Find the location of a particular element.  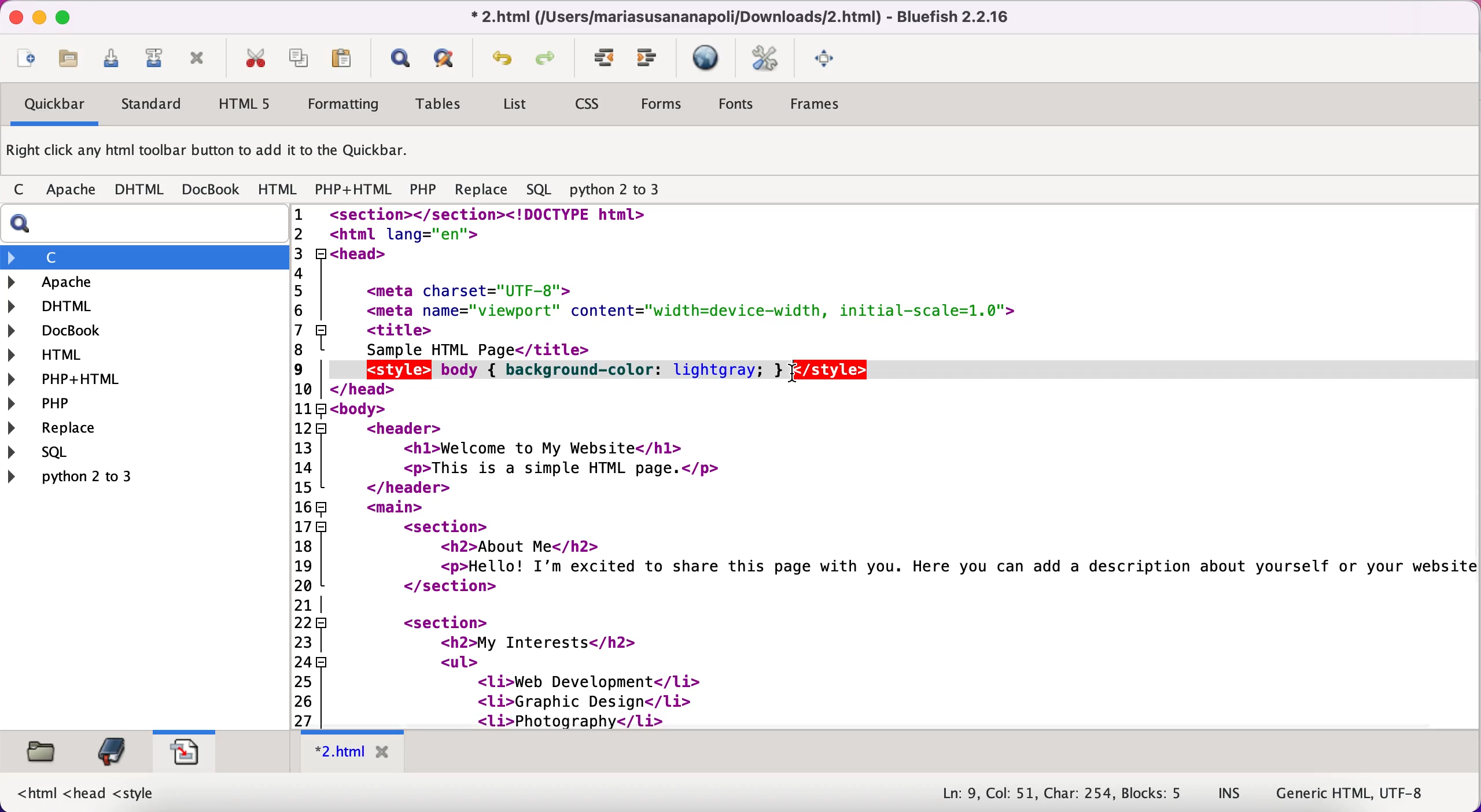

minimize is located at coordinates (38, 18).